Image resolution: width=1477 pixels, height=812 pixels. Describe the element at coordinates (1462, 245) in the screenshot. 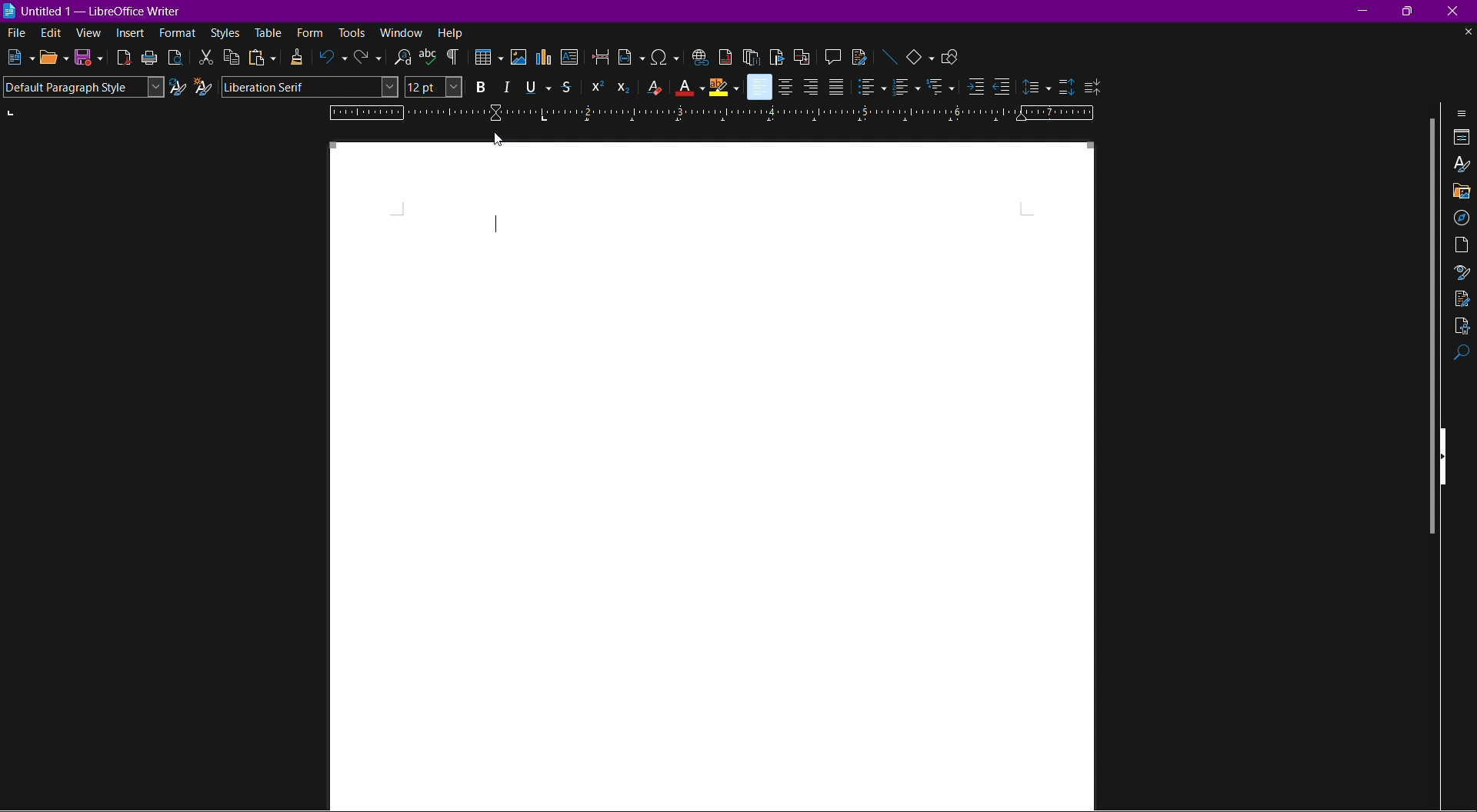

I see `Page` at that location.